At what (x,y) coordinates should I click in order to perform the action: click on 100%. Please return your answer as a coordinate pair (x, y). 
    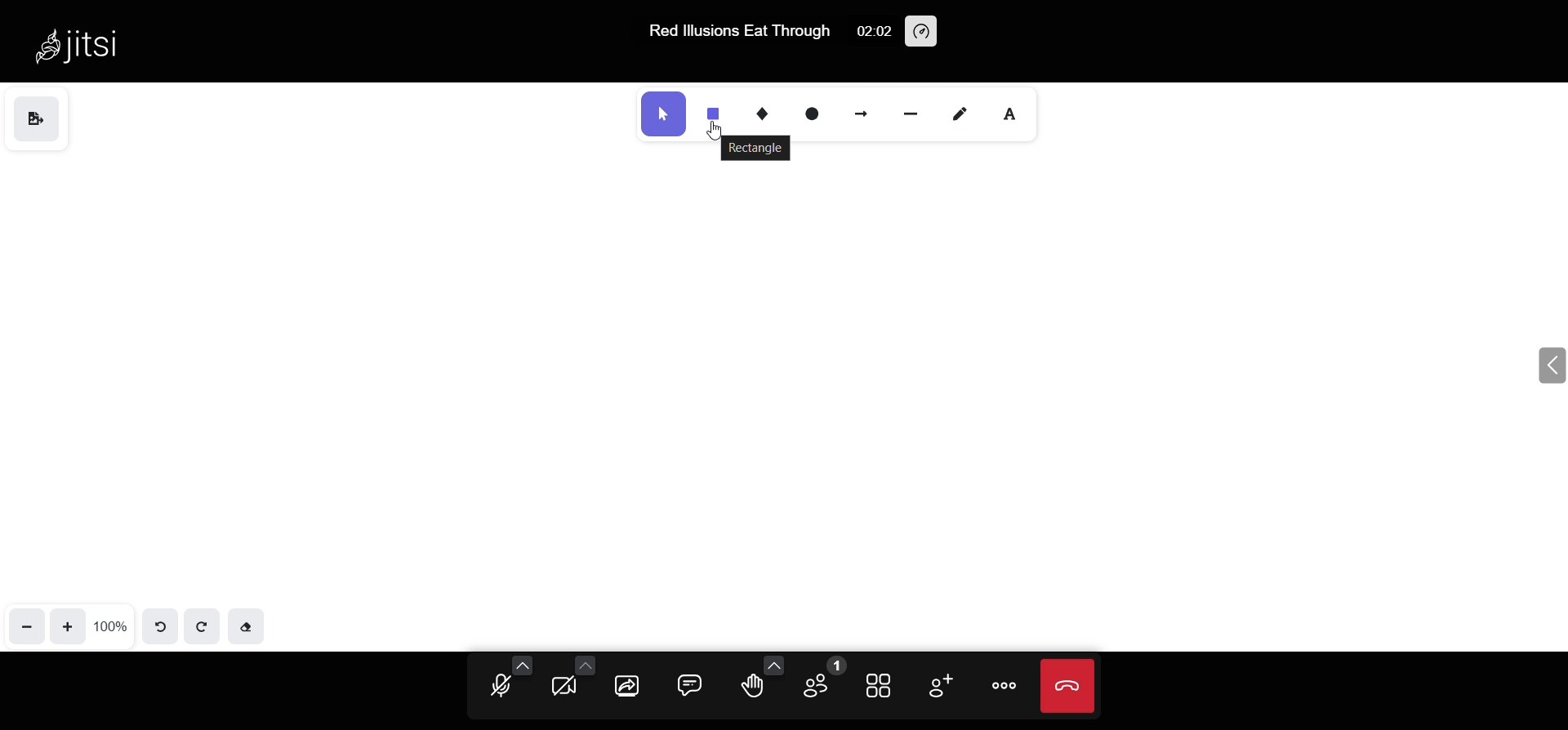
    Looking at the image, I should click on (112, 624).